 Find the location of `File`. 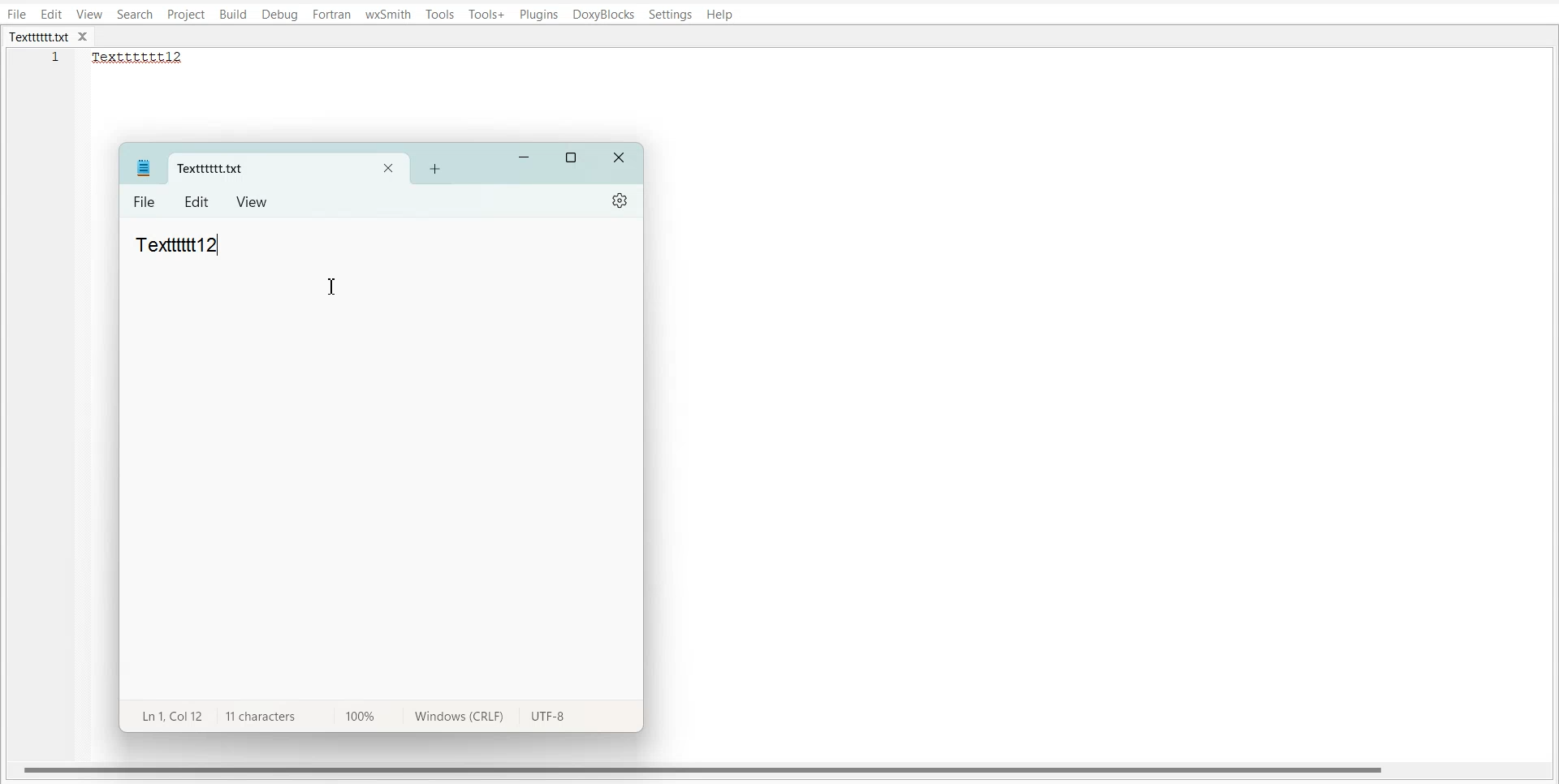

File is located at coordinates (145, 203).